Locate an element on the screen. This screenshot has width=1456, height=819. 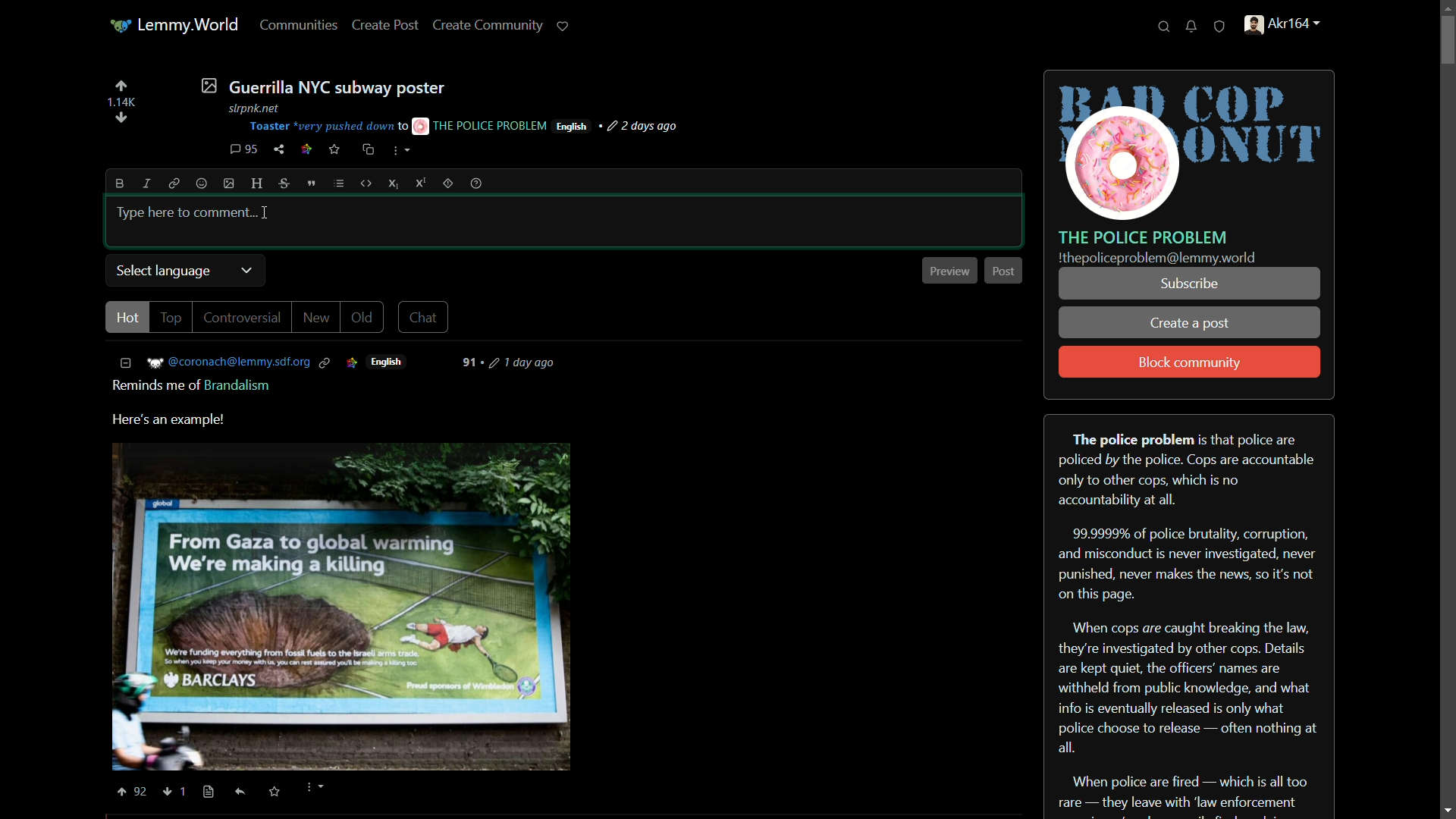
controversial is located at coordinates (240, 318).